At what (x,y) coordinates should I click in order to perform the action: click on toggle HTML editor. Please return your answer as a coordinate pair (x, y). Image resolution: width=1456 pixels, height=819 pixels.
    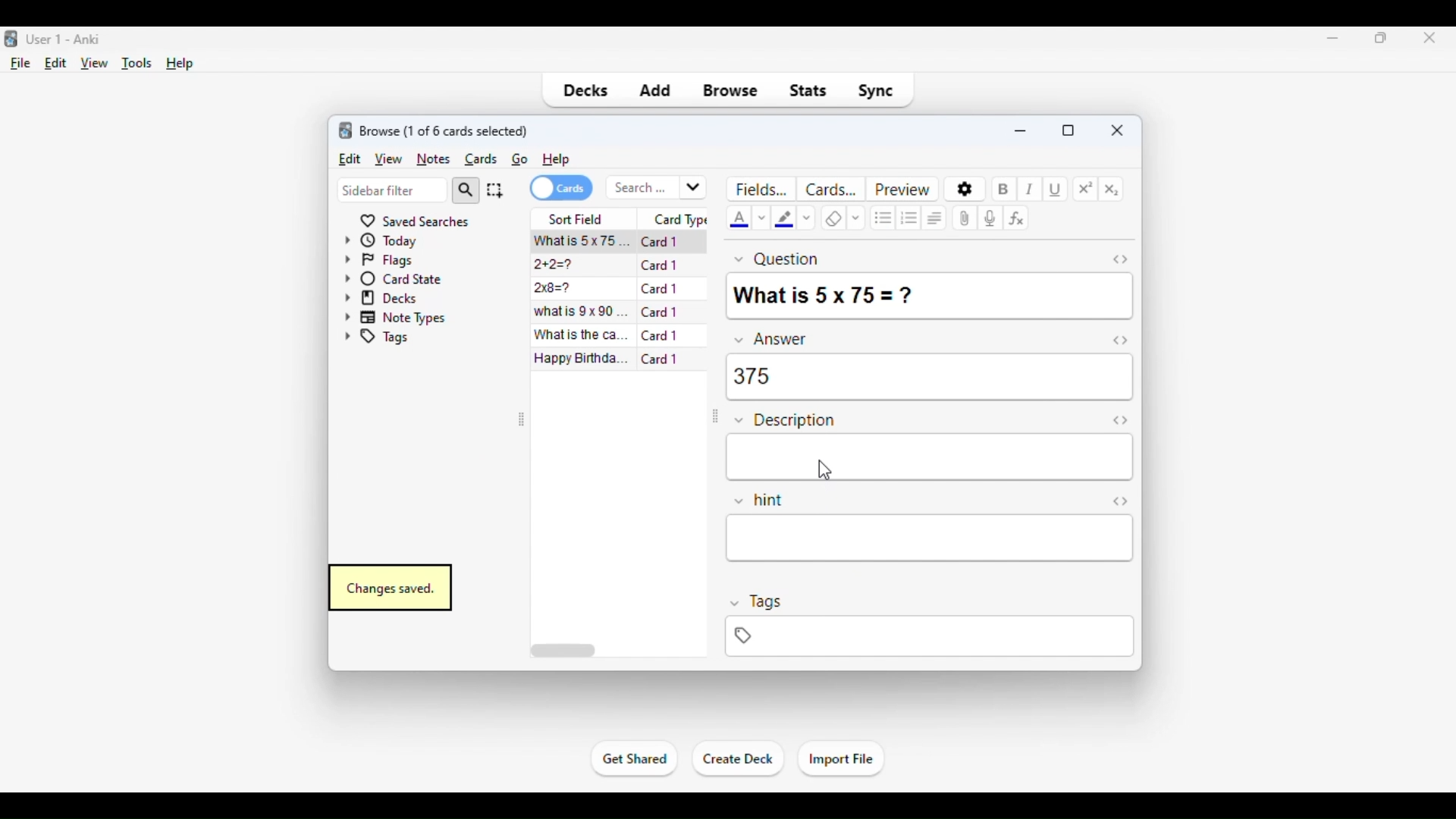
    Looking at the image, I should click on (1121, 260).